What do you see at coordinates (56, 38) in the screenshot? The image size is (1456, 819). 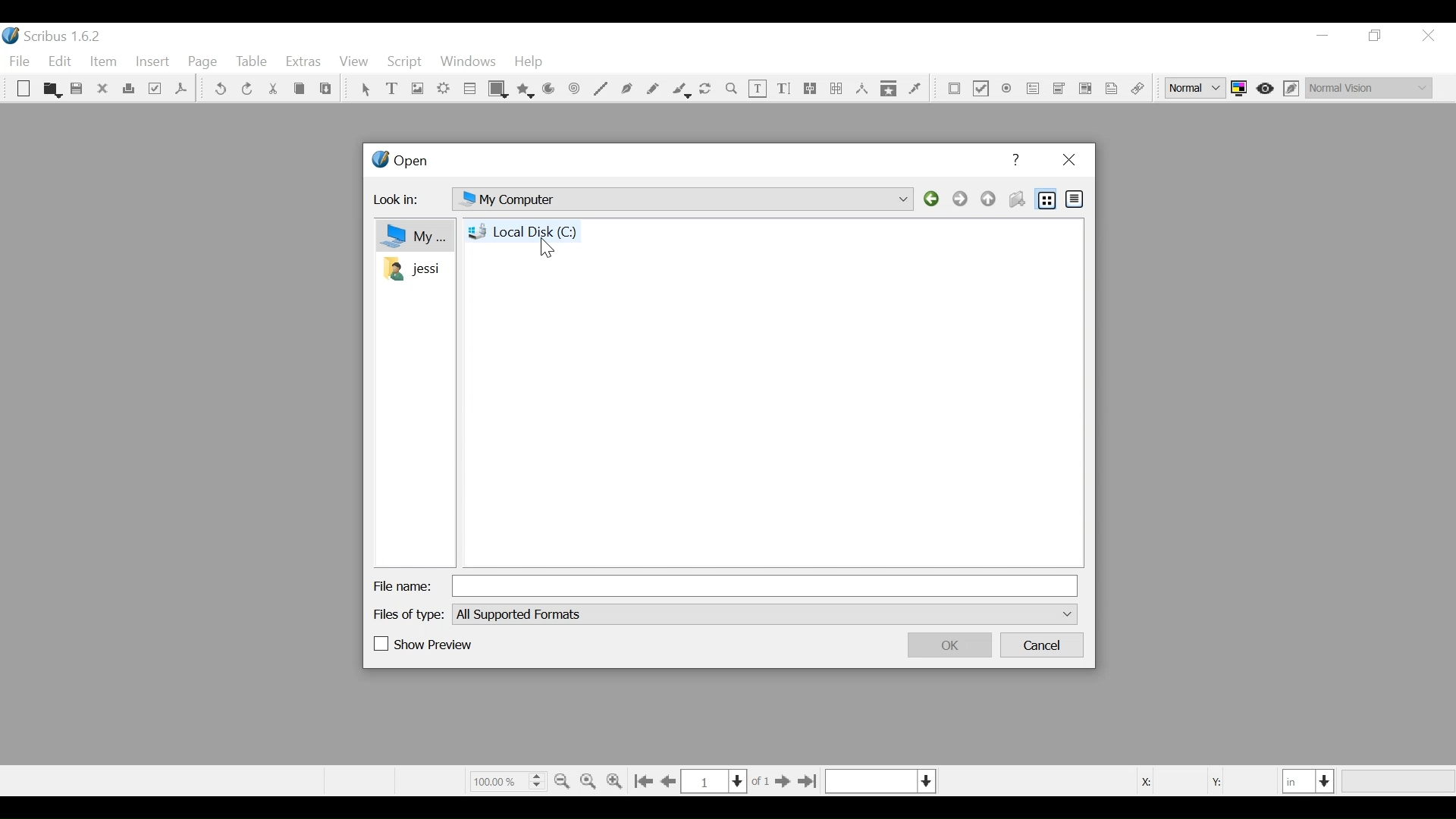 I see `Scribus Desktop Icon` at bounding box center [56, 38].